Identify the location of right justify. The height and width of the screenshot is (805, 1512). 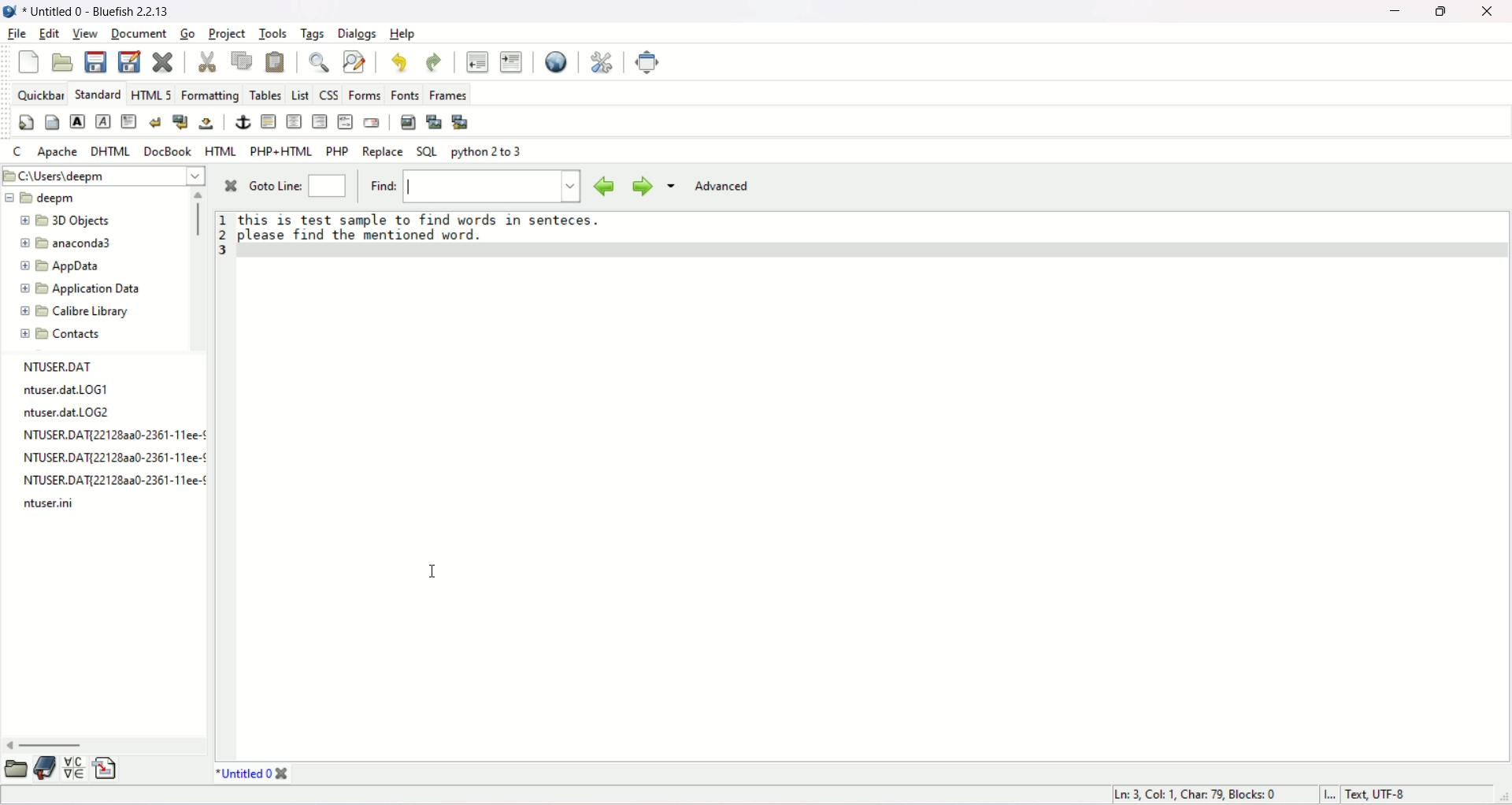
(318, 121).